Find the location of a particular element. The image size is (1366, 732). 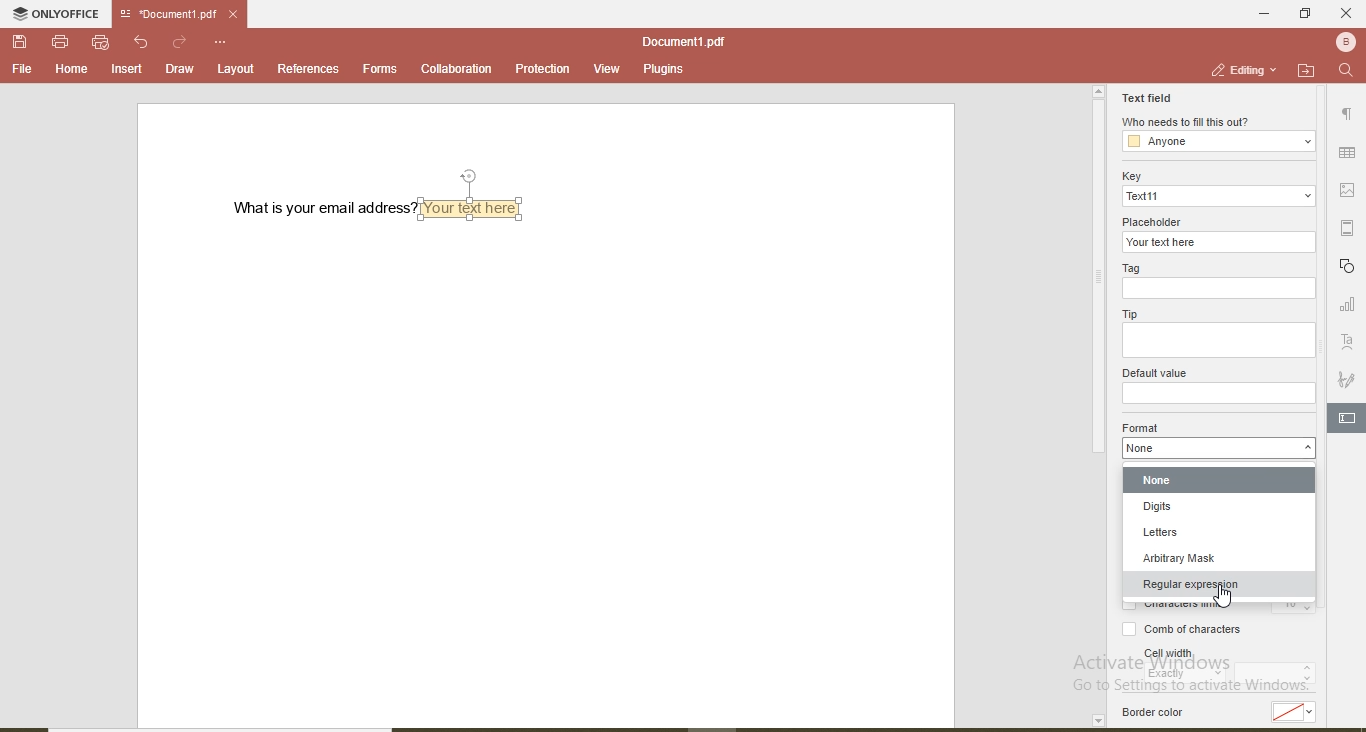

home is located at coordinates (68, 69).